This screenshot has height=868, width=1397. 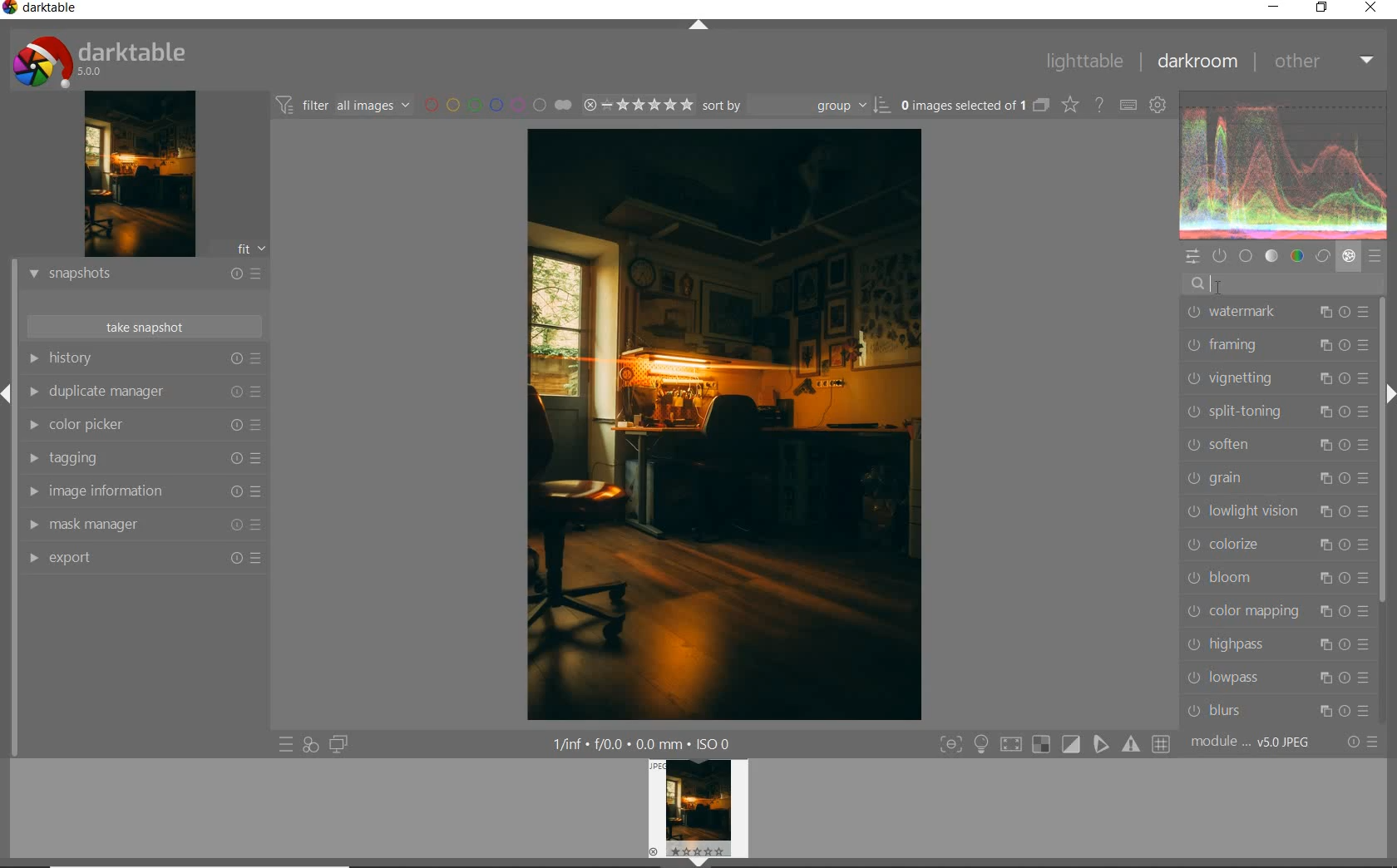 I want to click on system name, so click(x=43, y=9).